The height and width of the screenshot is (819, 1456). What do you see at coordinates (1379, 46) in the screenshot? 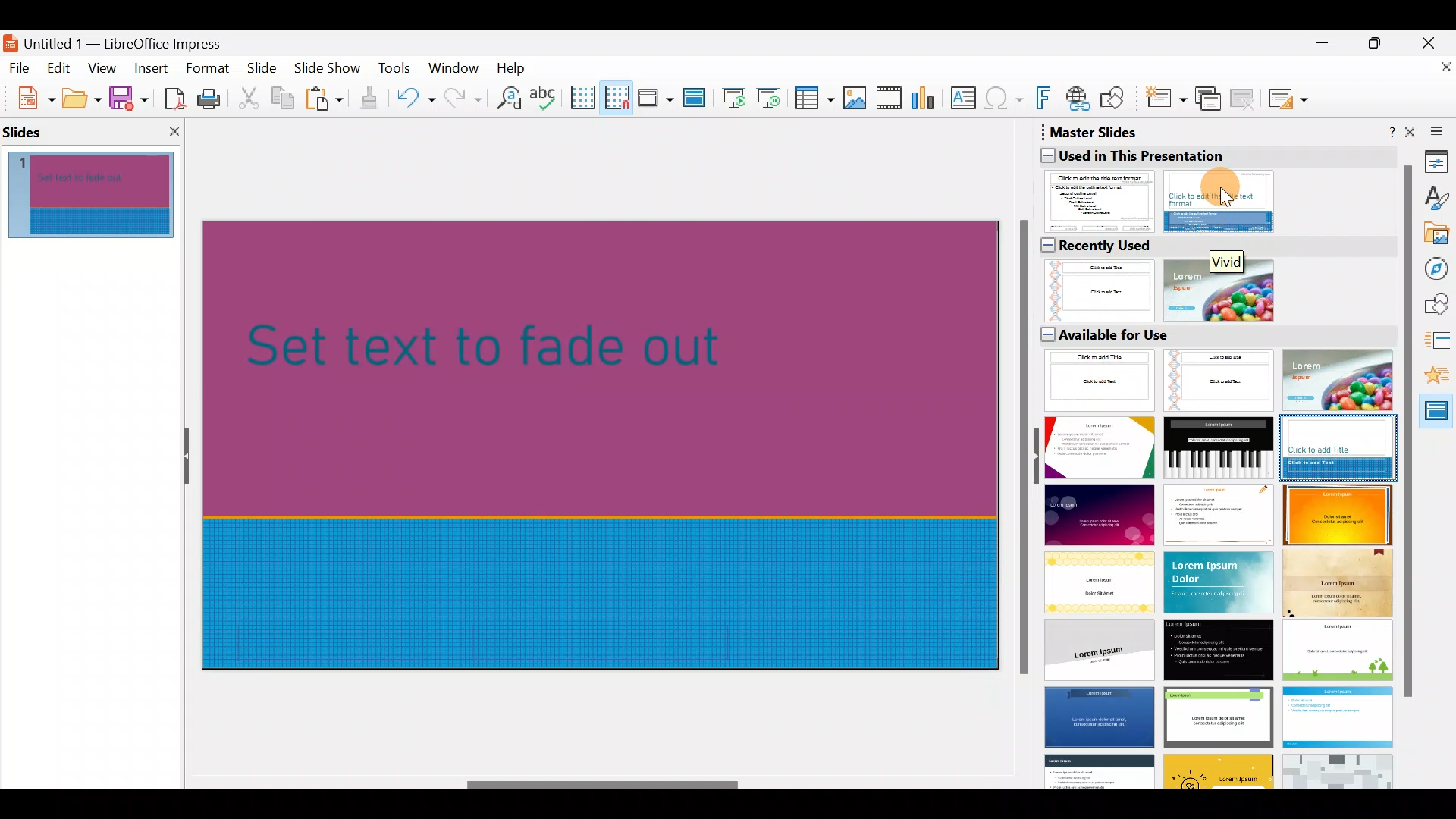
I see `Maximise` at bounding box center [1379, 46].